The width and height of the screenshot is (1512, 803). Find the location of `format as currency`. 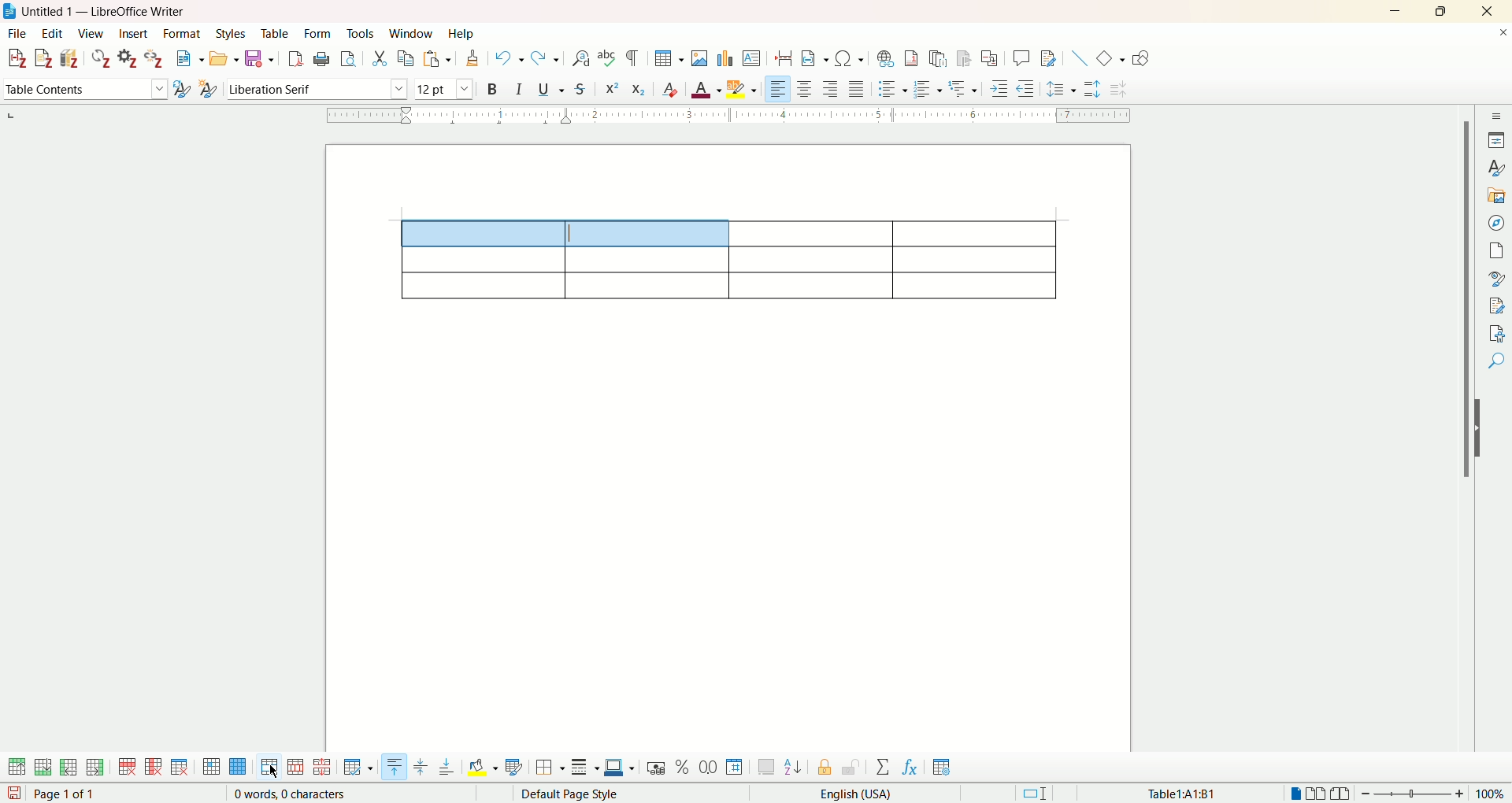

format as currency is located at coordinates (655, 770).